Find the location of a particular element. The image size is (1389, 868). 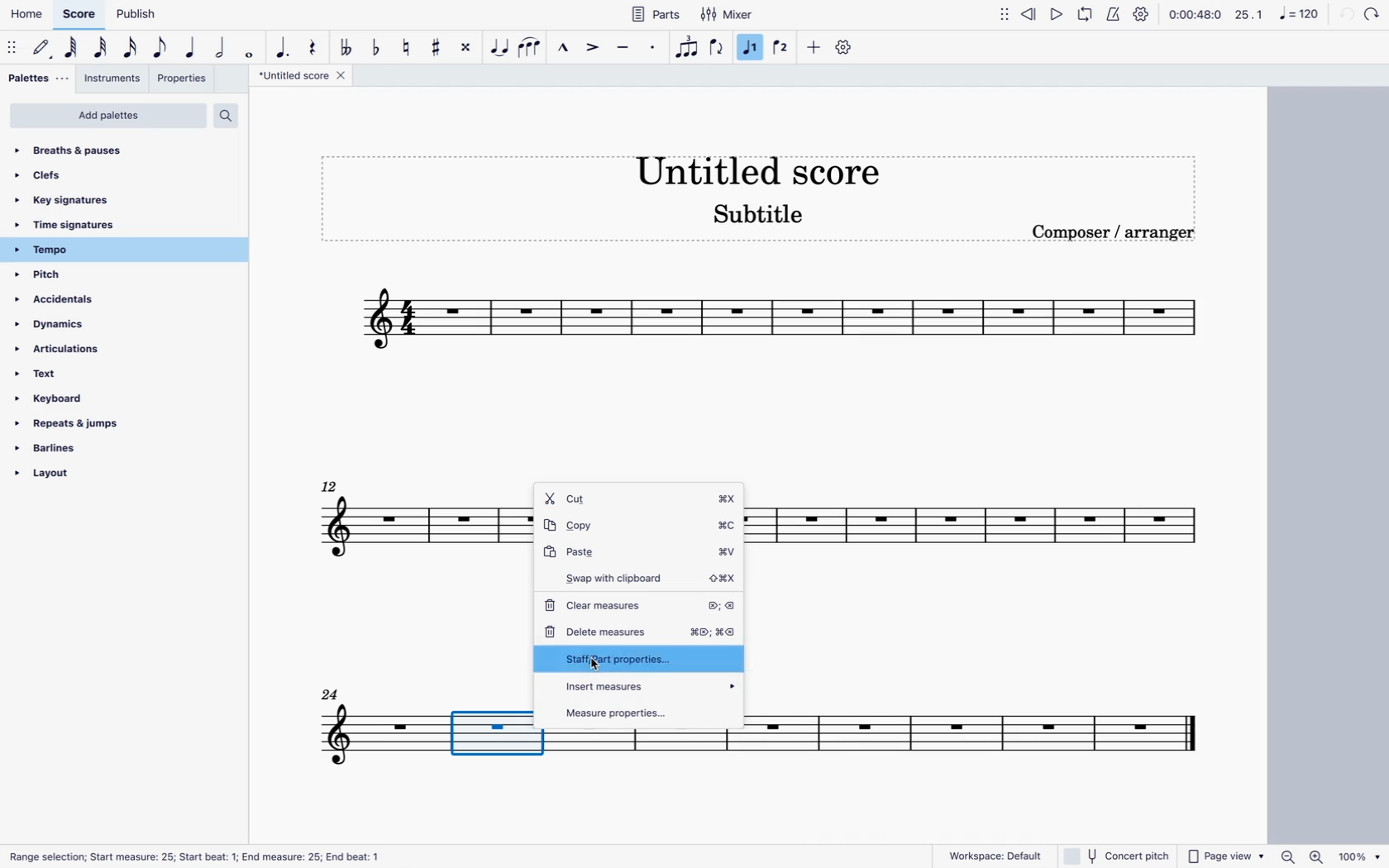

staccato is located at coordinates (656, 50).